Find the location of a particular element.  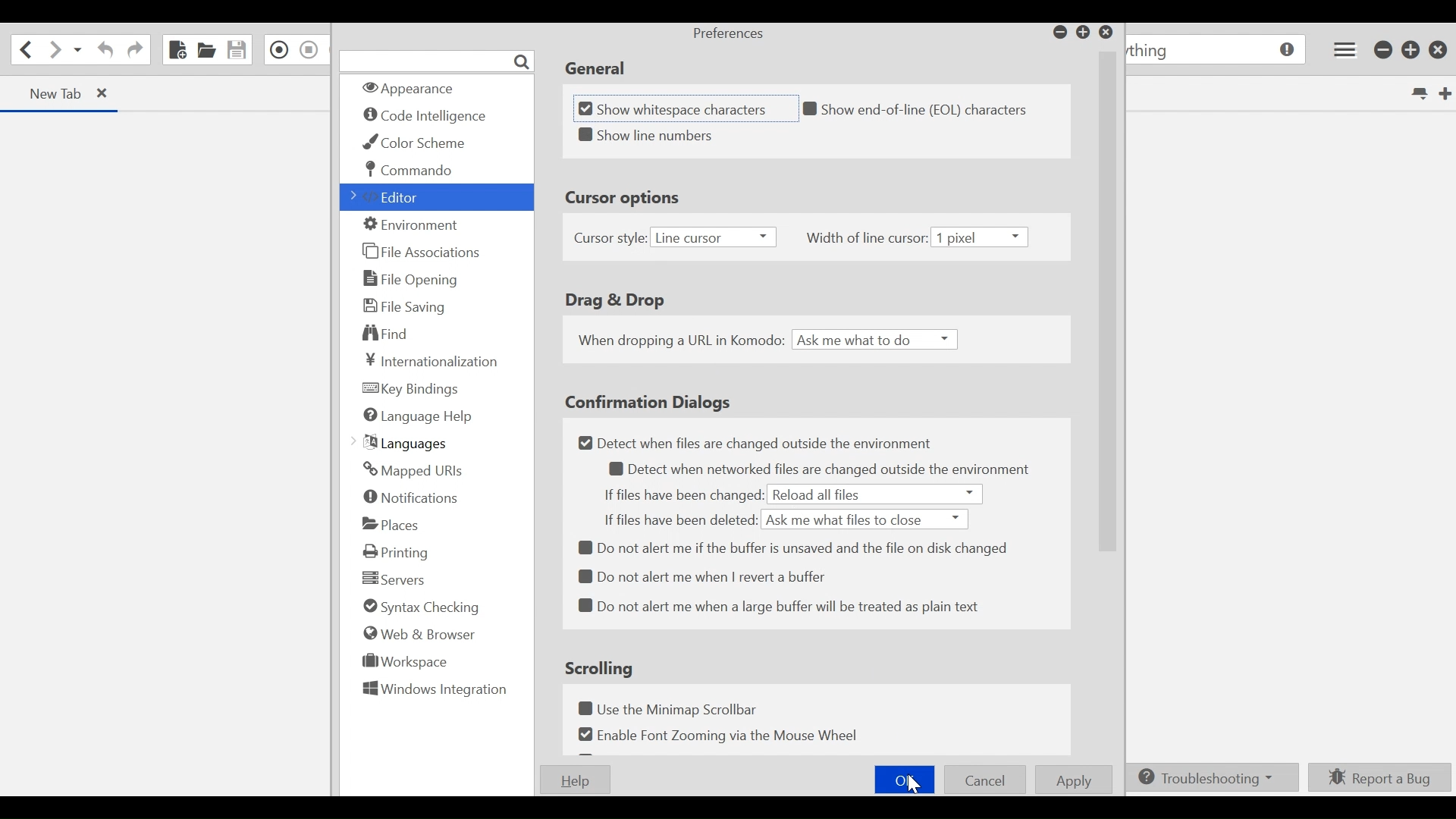

 Use the Minimap Scrollbar is located at coordinates (678, 708).